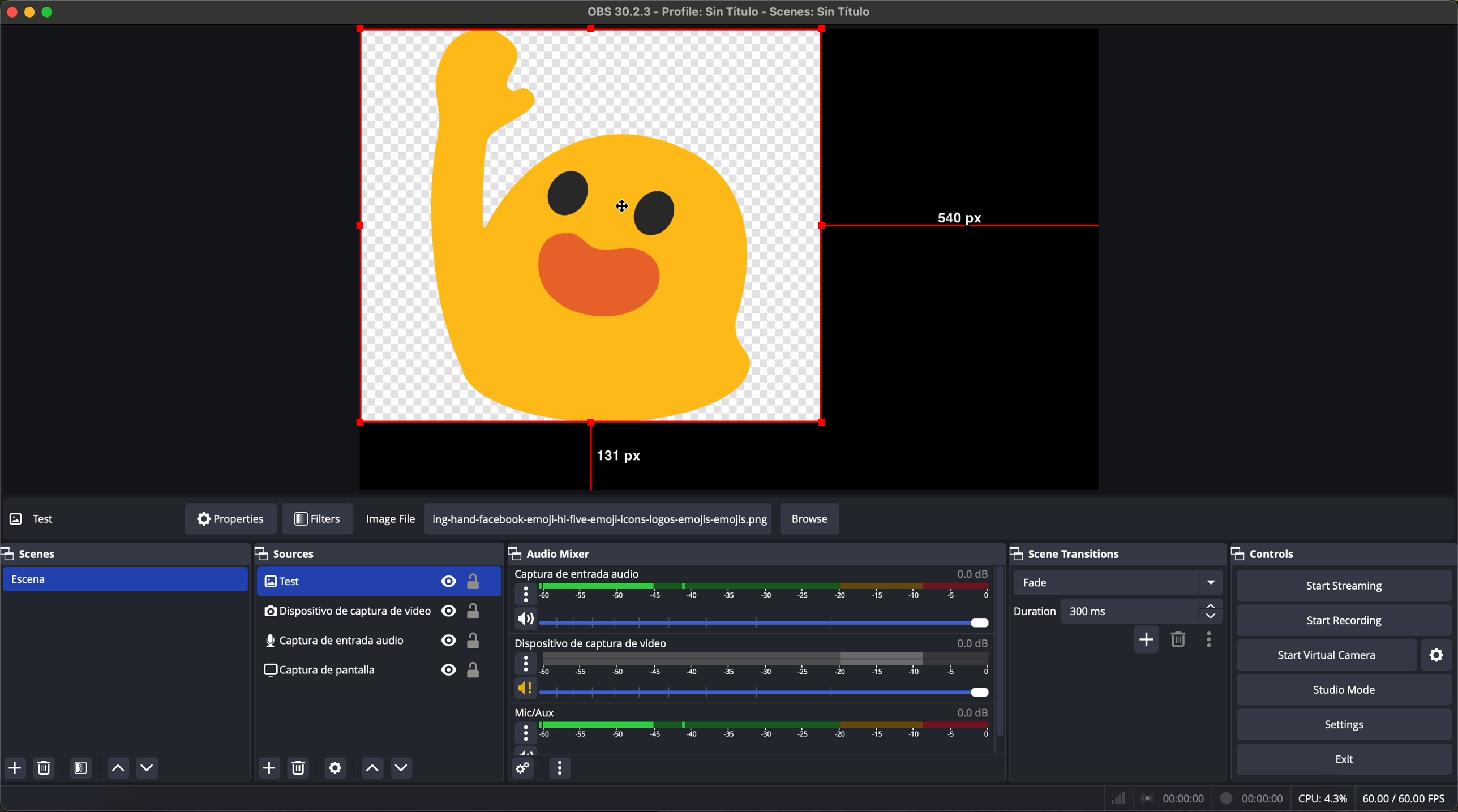 This screenshot has height=812, width=1458. I want to click on filename, so click(731, 12).